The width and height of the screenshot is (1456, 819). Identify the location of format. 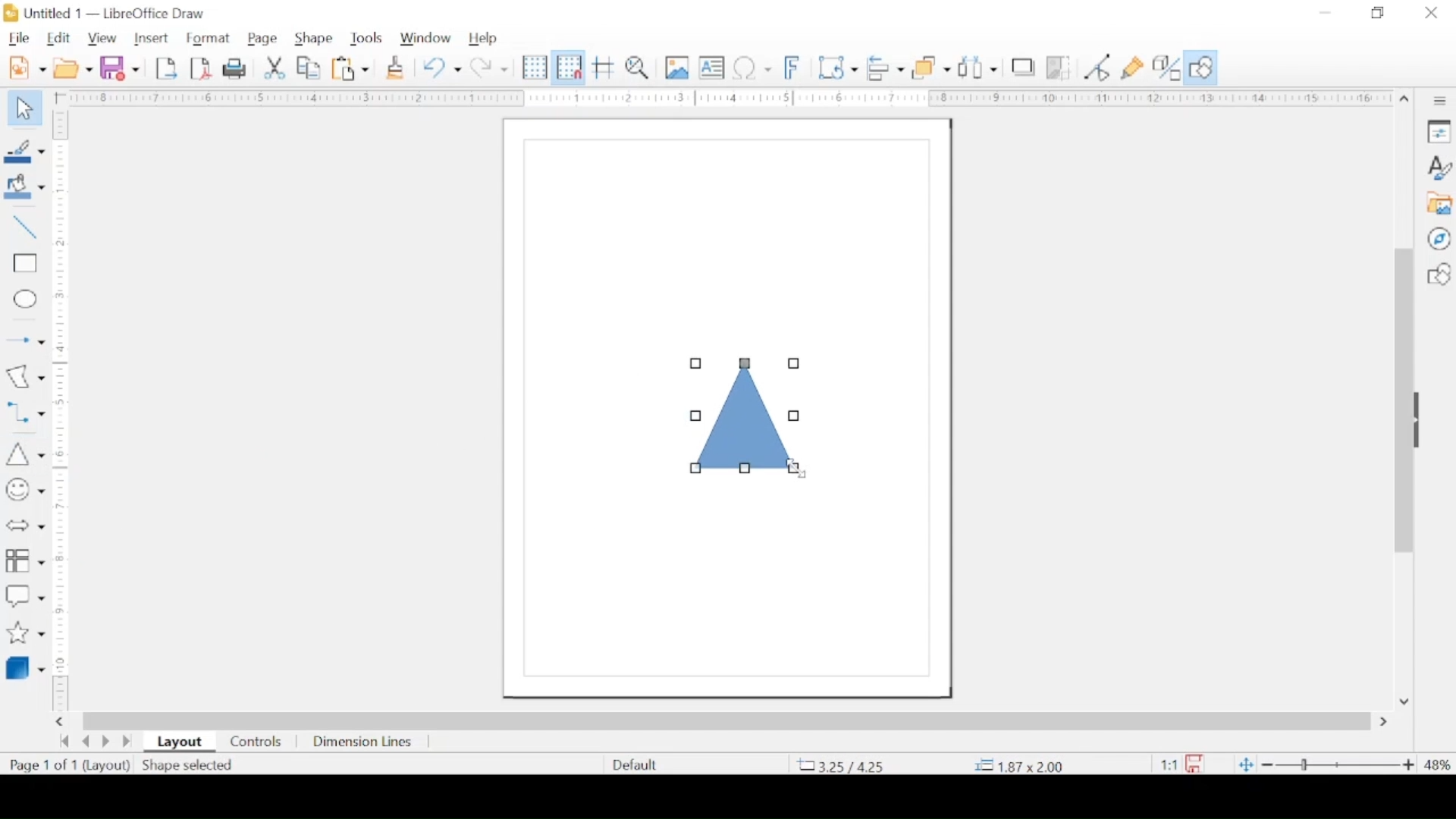
(207, 38).